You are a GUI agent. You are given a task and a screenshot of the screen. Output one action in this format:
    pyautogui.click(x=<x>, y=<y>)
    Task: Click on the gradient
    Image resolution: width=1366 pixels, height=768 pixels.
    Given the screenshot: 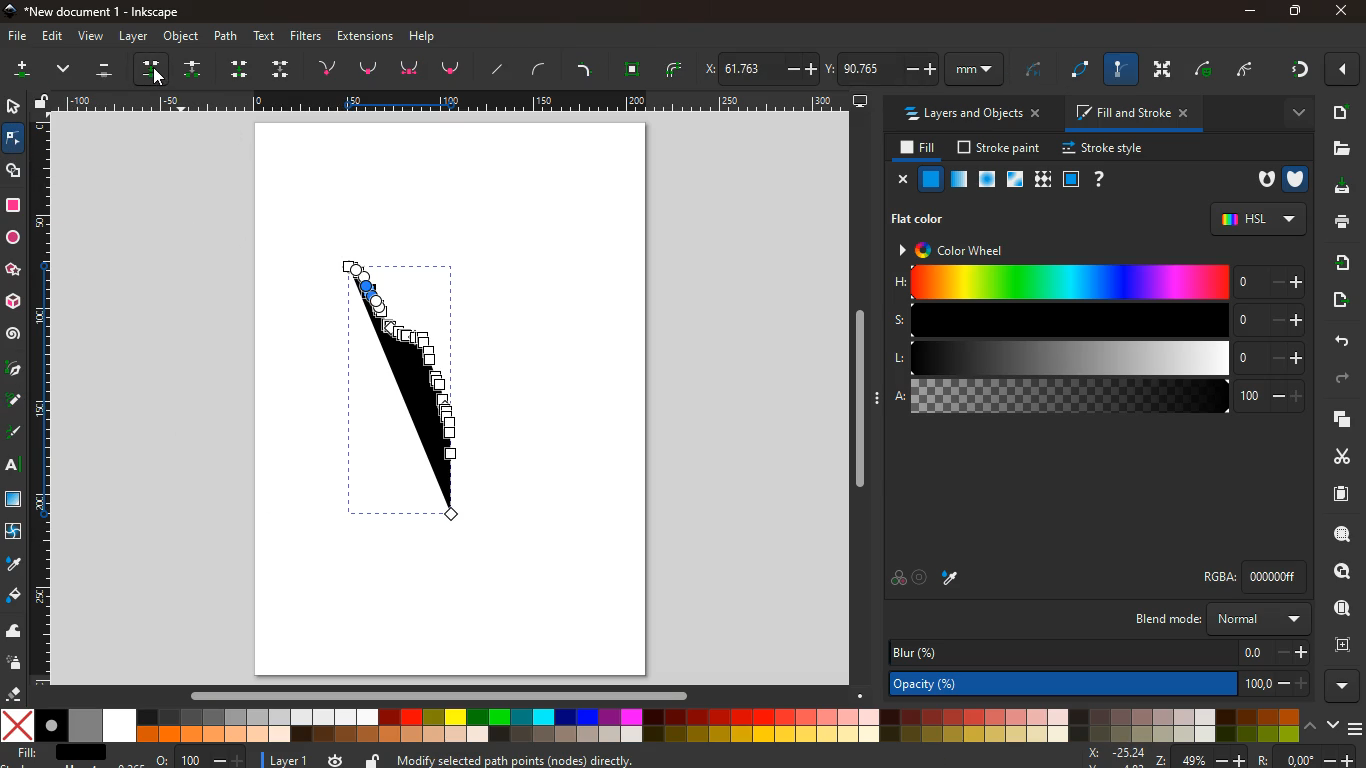 What is the action you would take?
    pyautogui.click(x=1298, y=72)
    